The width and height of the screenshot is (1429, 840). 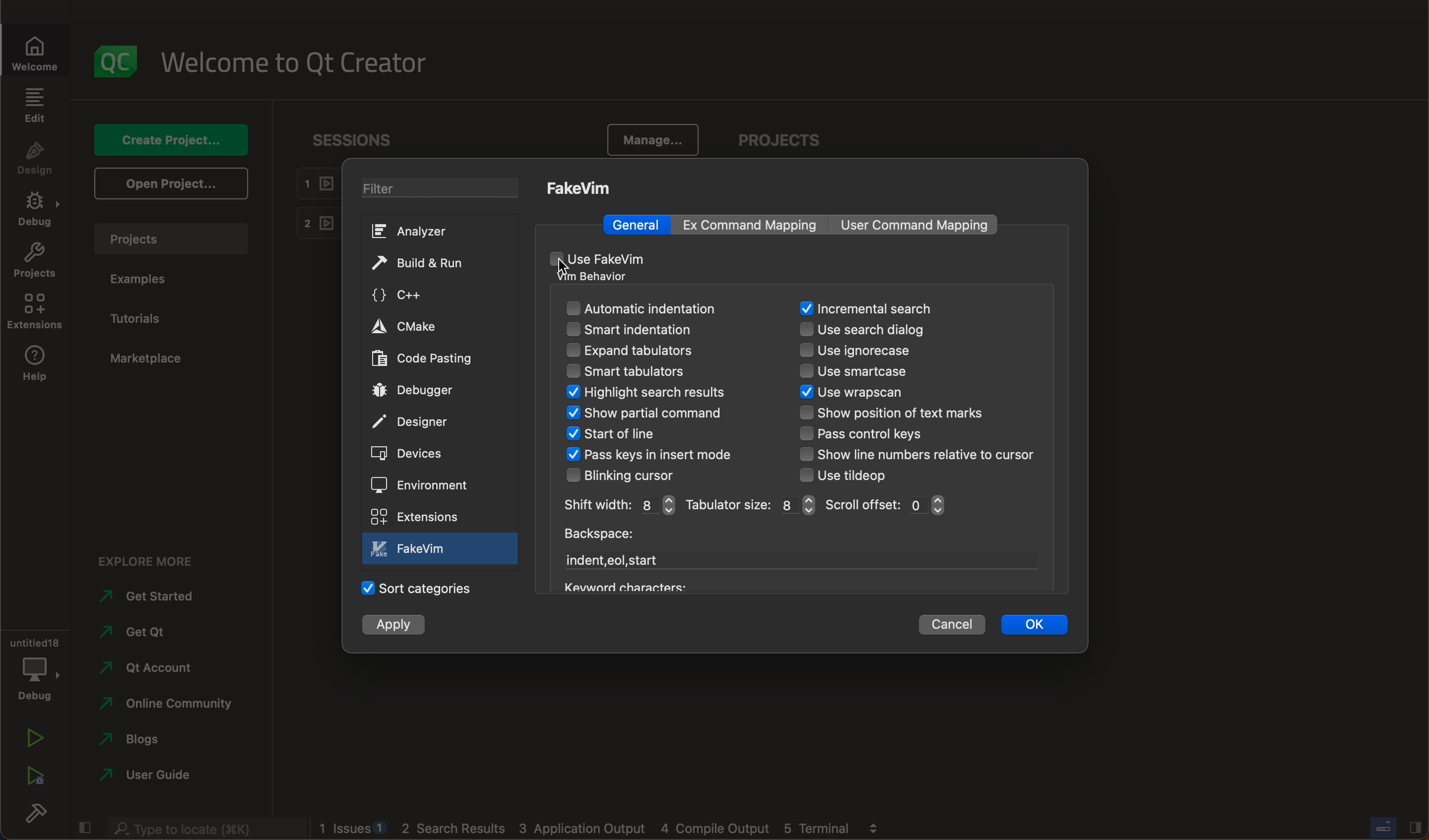 I want to click on vm behaviour , so click(x=598, y=278).